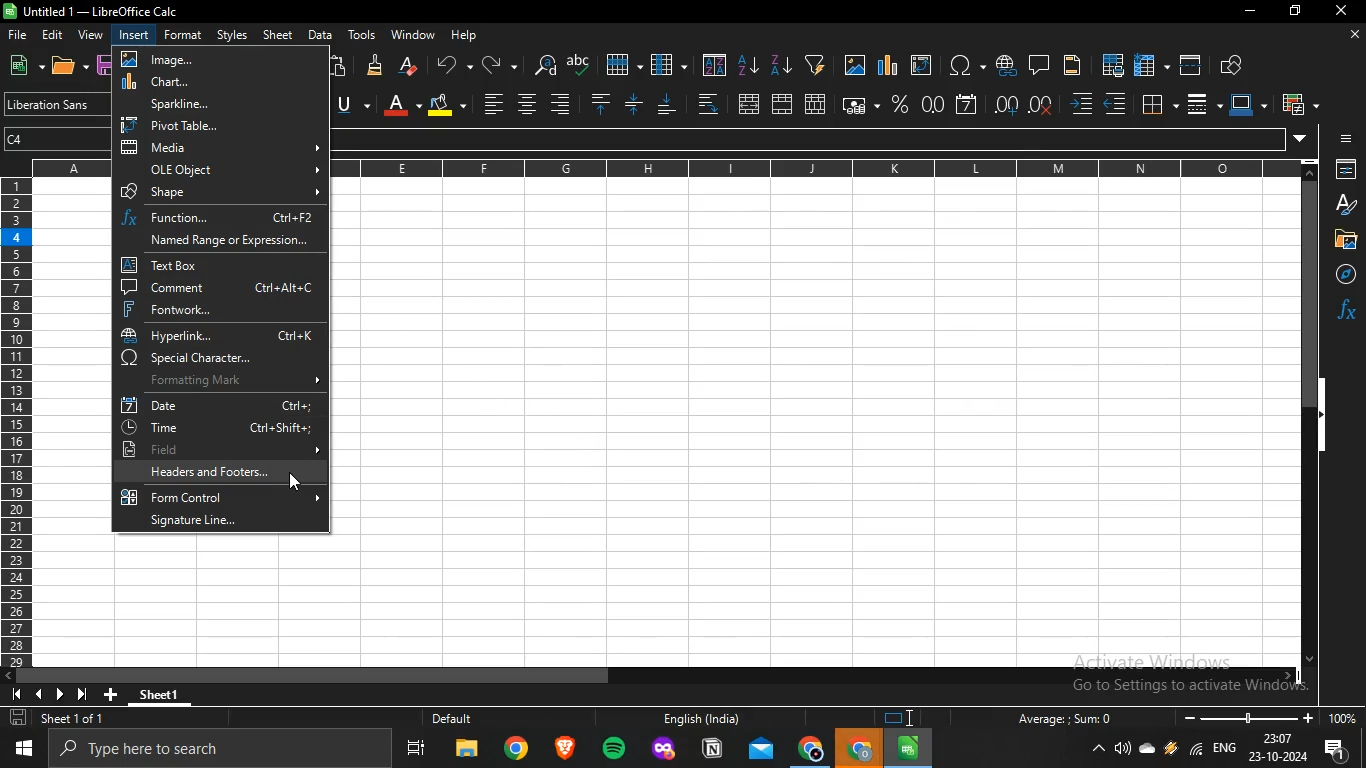  What do you see at coordinates (55, 33) in the screenshot?
I see `edit` at bounding box center [55, 33].